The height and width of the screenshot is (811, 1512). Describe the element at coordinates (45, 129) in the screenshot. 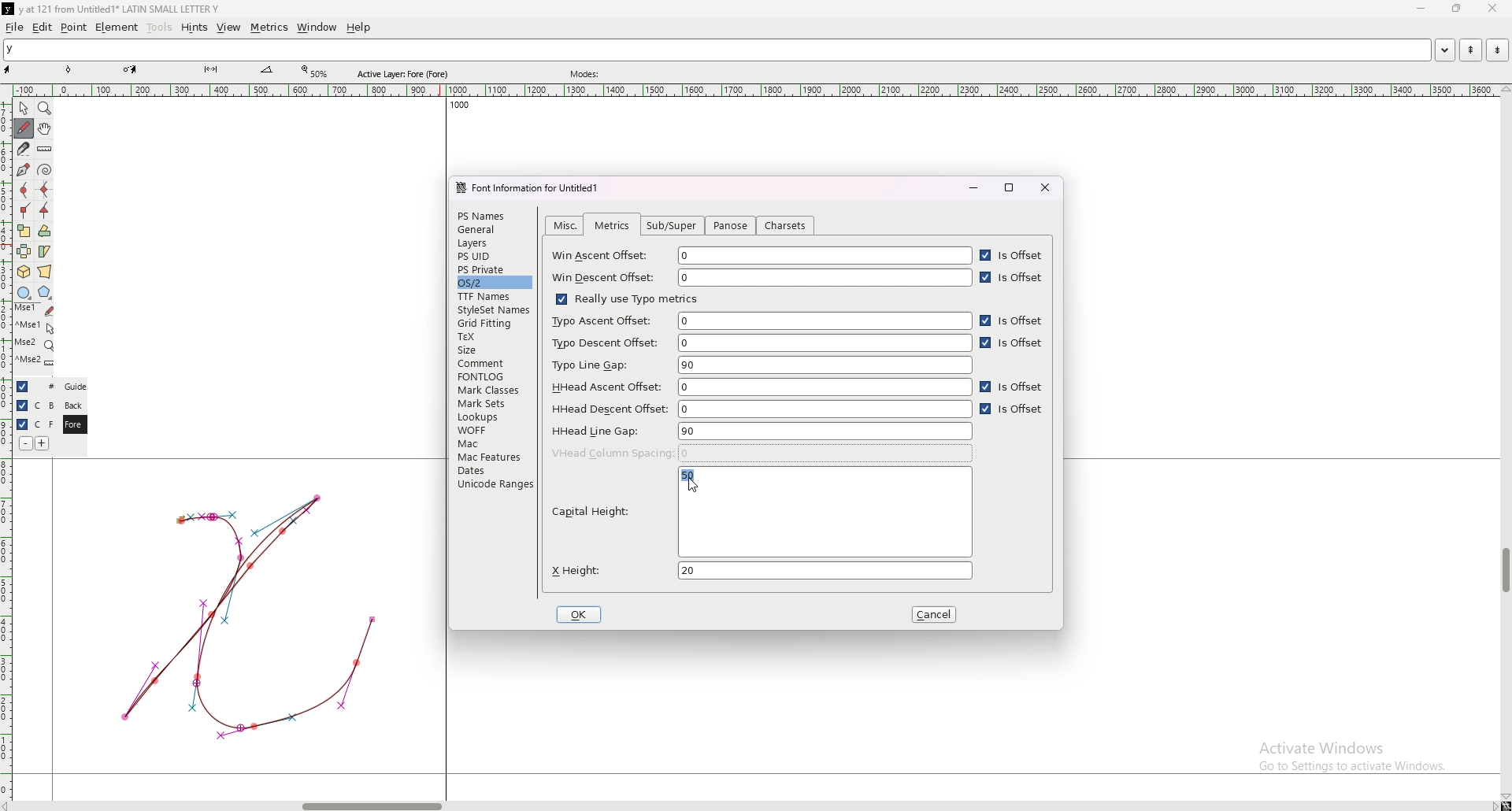

I see `scroll by hand` at that location.